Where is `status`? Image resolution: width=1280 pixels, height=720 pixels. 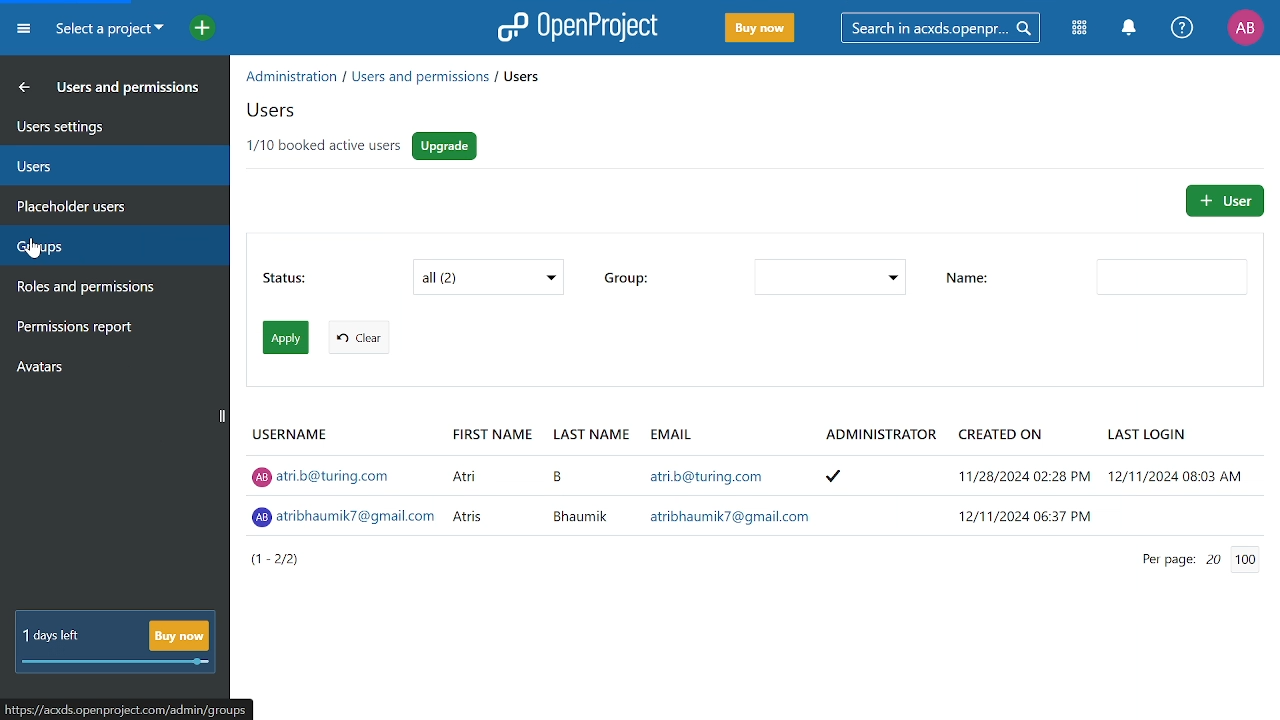
status is located at coordinates (275, 276).